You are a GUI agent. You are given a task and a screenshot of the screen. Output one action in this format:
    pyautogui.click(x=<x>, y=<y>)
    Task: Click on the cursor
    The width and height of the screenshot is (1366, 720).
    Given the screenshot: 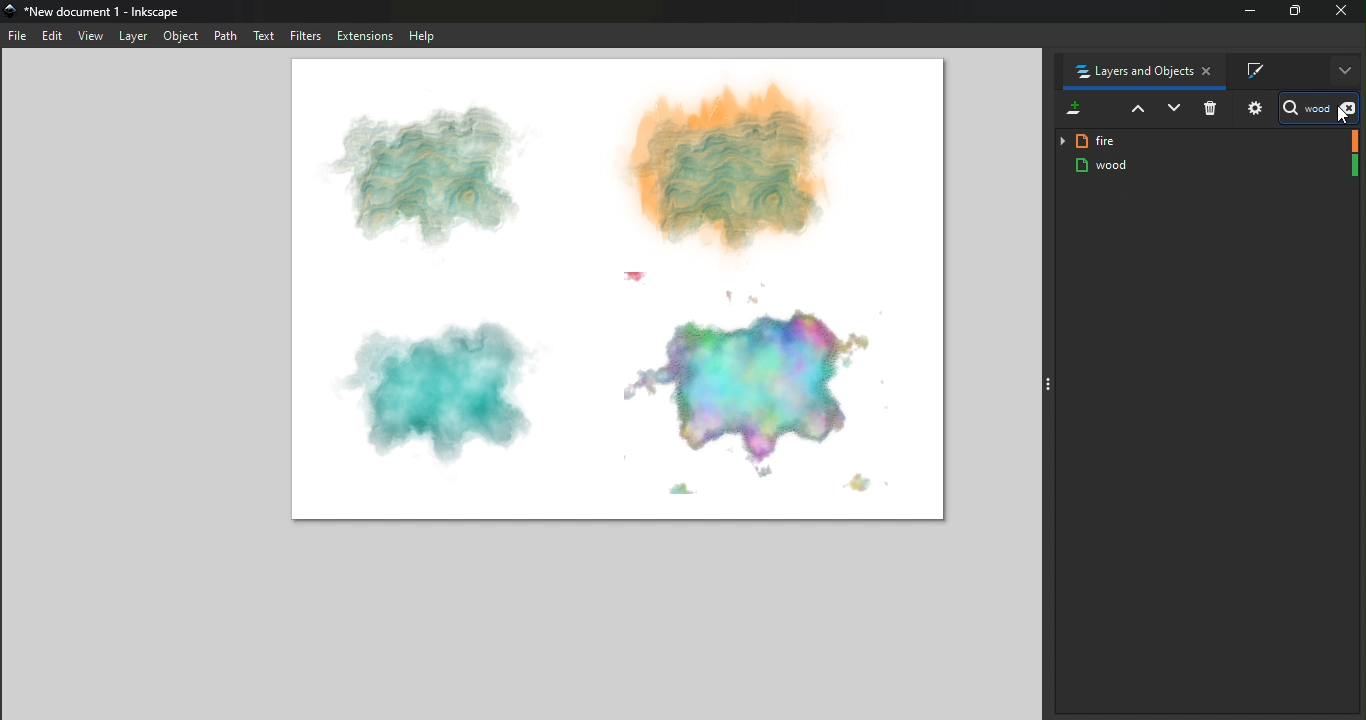 What is the action you would take?
    pyautogui.click(x=1344, y=113)
    